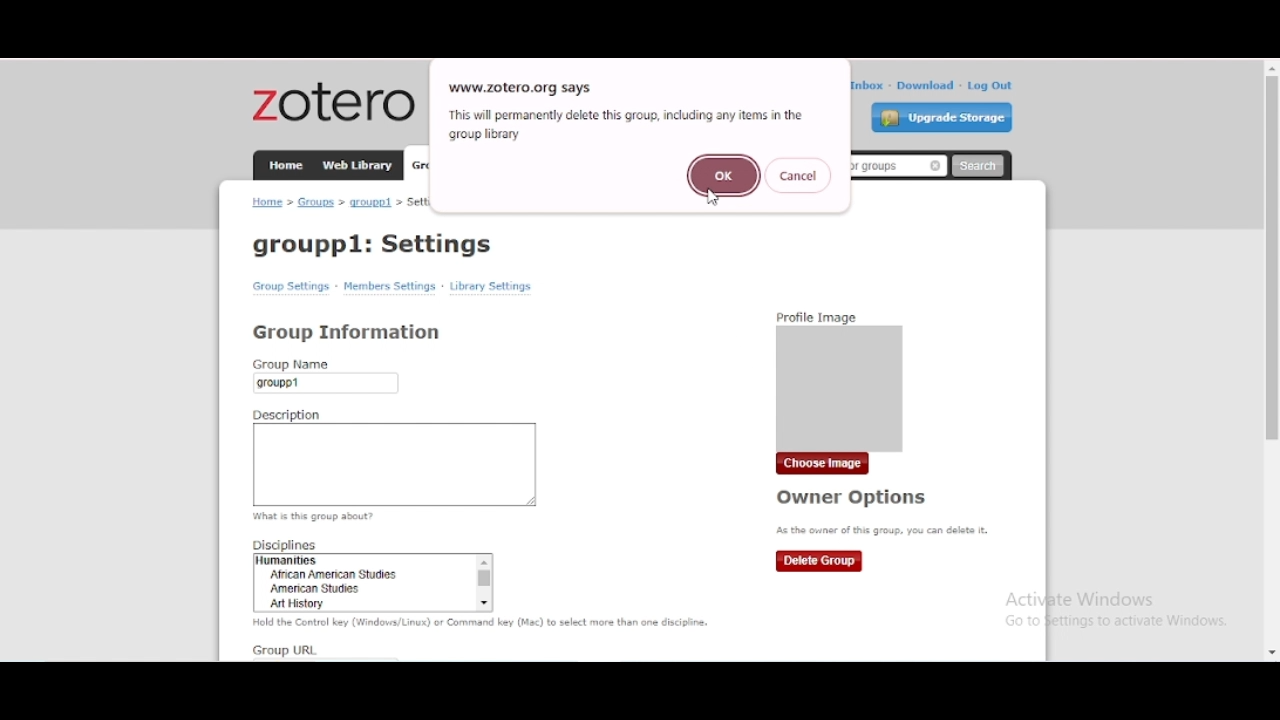 The height and width of the screenshot is (720, 1280). What do you see at coordinates (490, 286) in the screenshot?
I see `library settings` at bounding box center [490, 286].